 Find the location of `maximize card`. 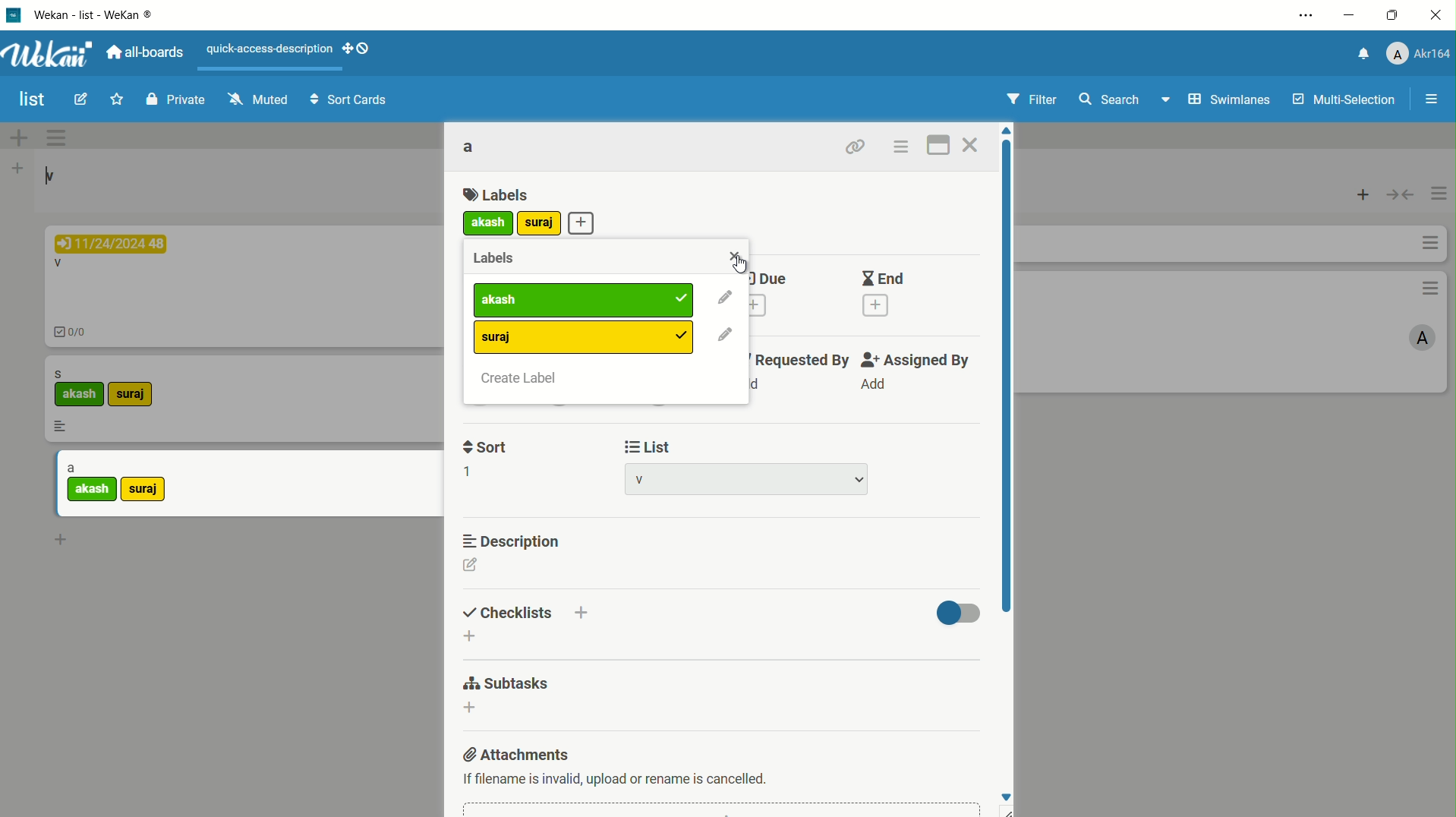

maximize card is located at coordinates (941, 144).